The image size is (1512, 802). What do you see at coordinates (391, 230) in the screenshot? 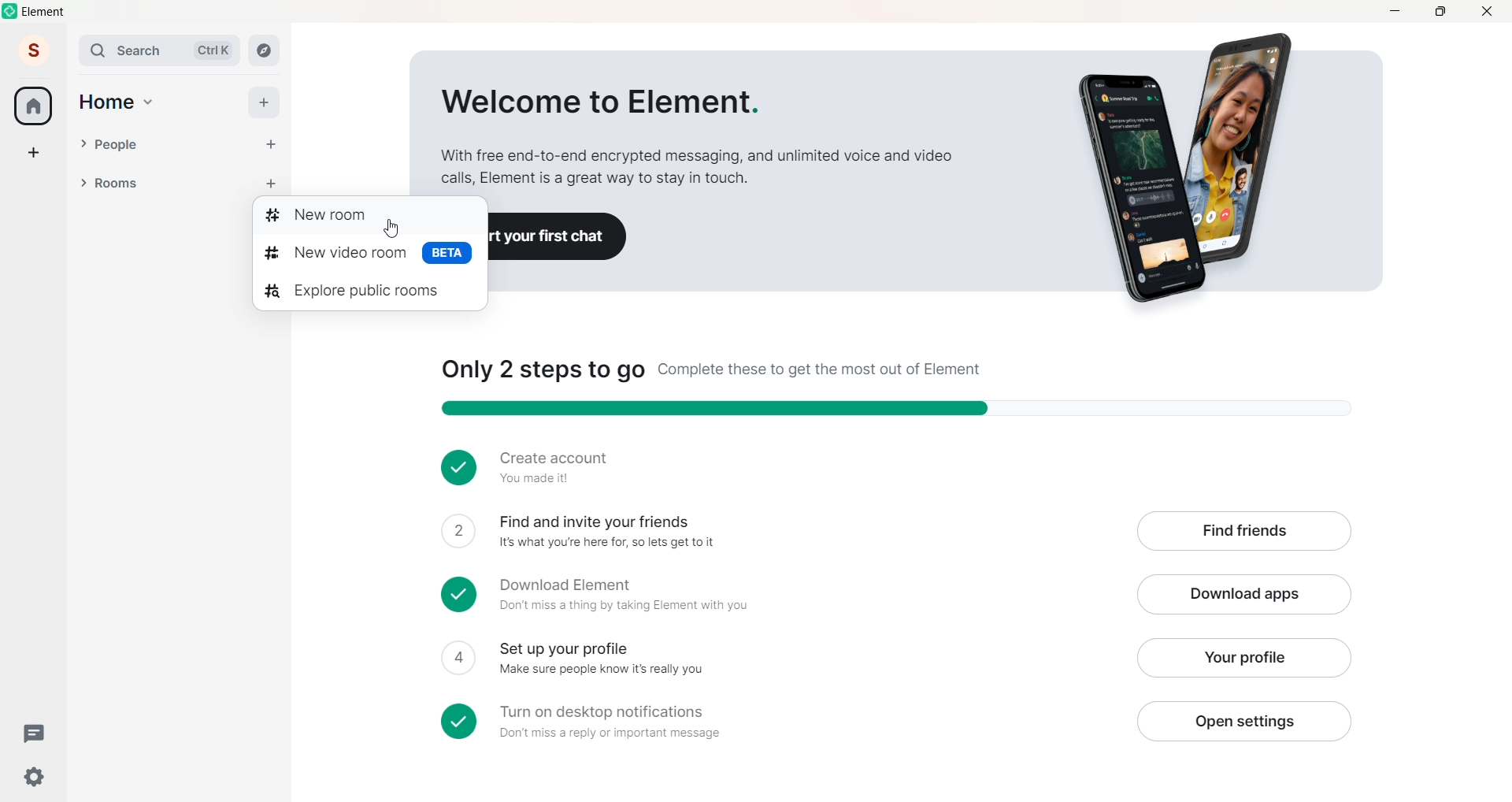
I see `cursor` at bounding box center [391, 230].